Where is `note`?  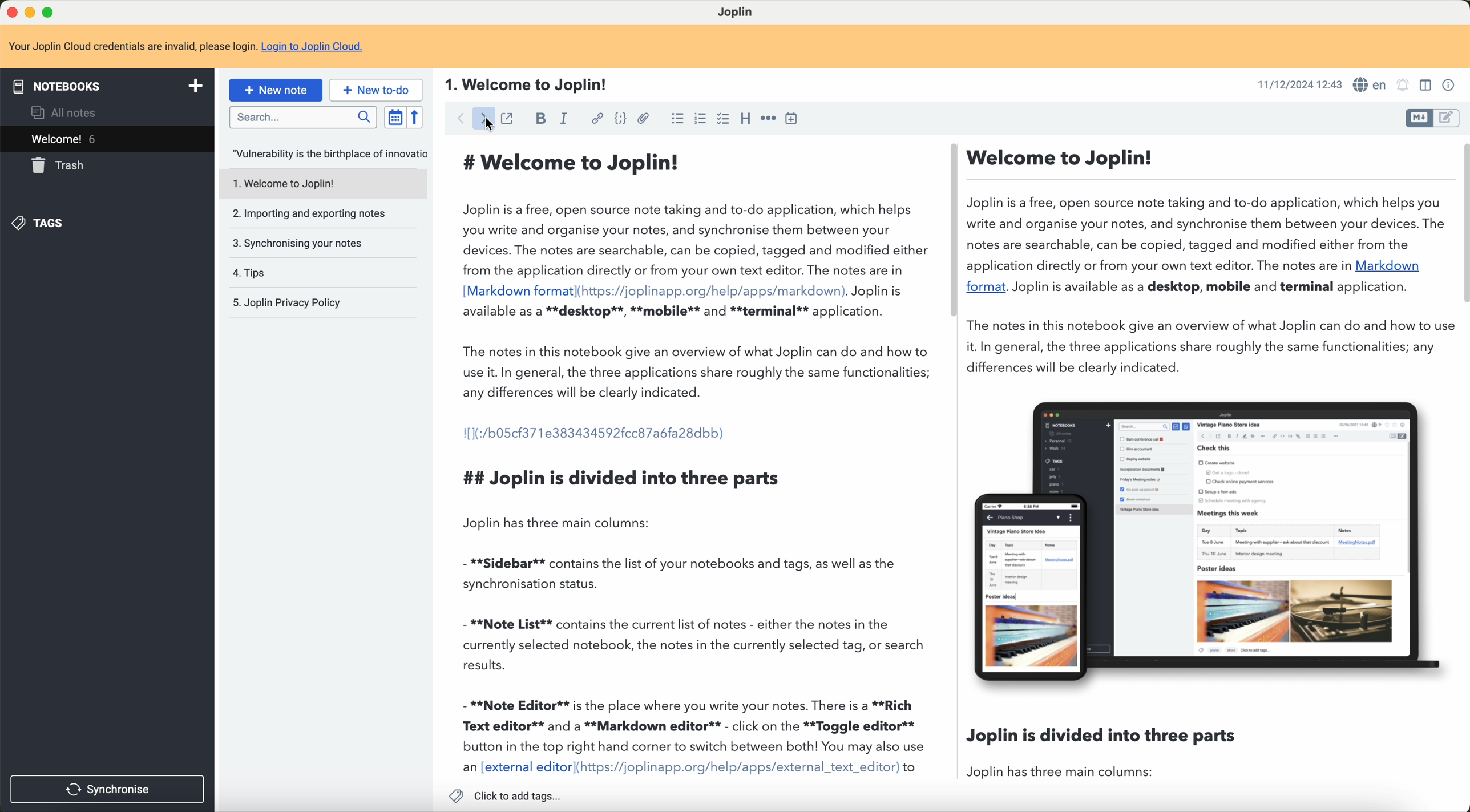 note is located at coordinates (132, 46).